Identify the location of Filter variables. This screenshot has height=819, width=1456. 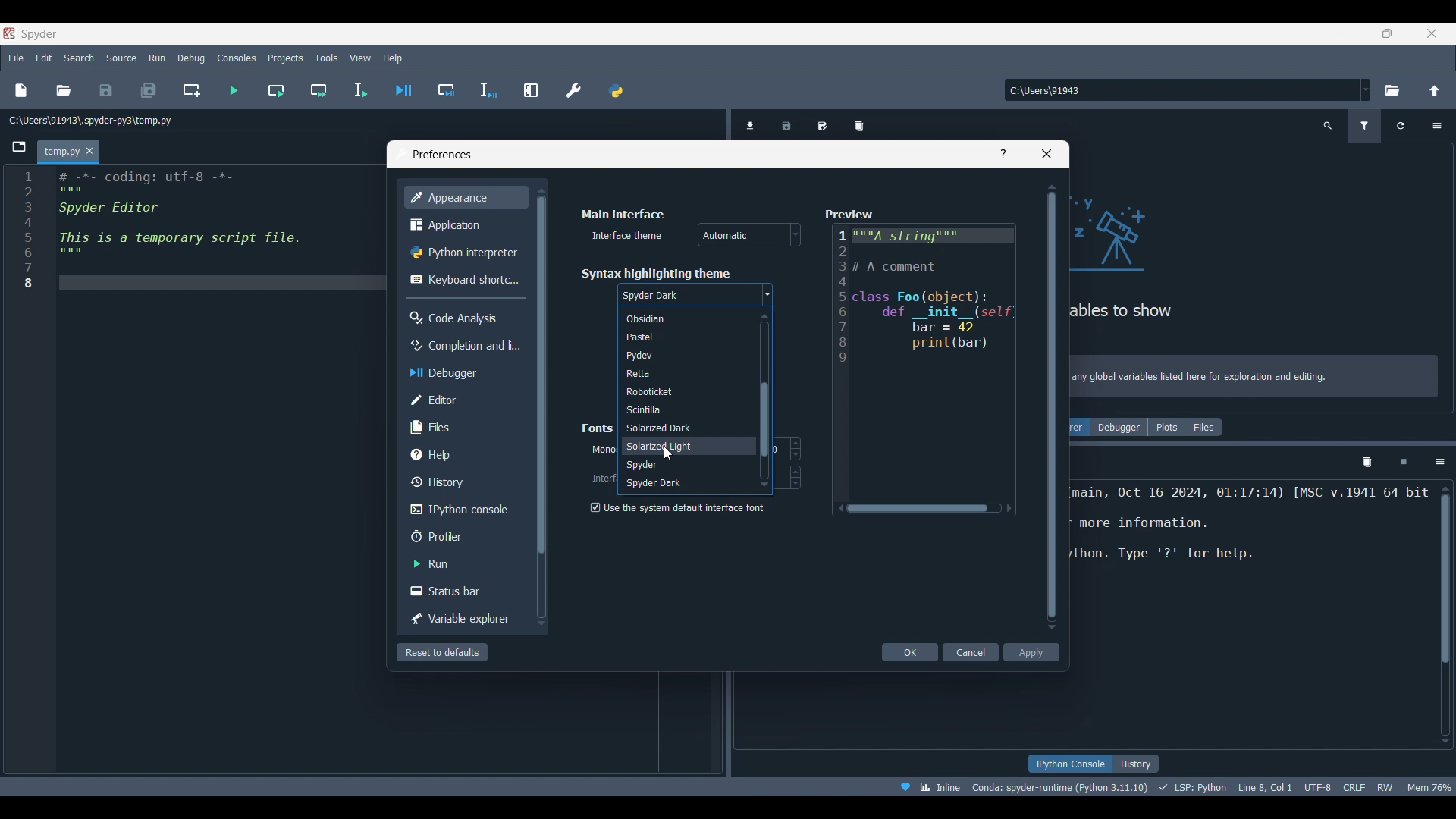
(1364, 126).